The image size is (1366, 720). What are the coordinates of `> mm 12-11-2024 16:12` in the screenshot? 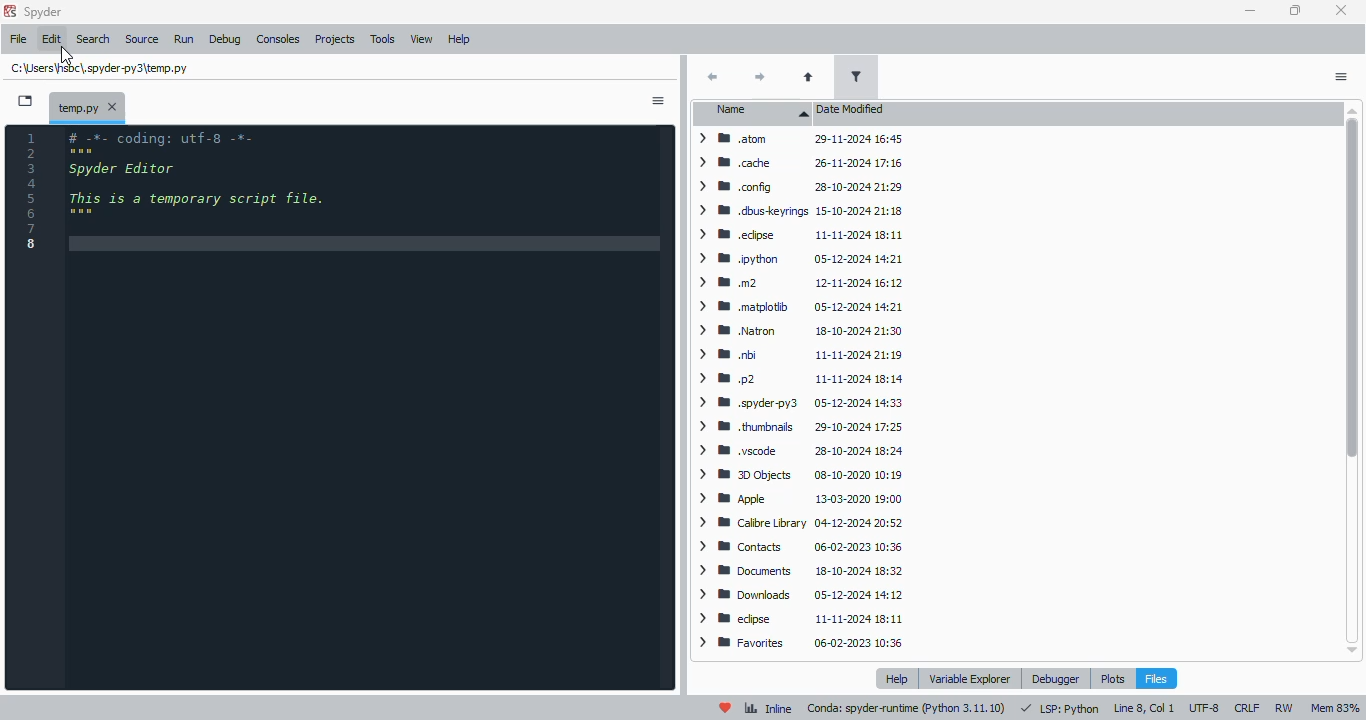 It's located at (797, 282).